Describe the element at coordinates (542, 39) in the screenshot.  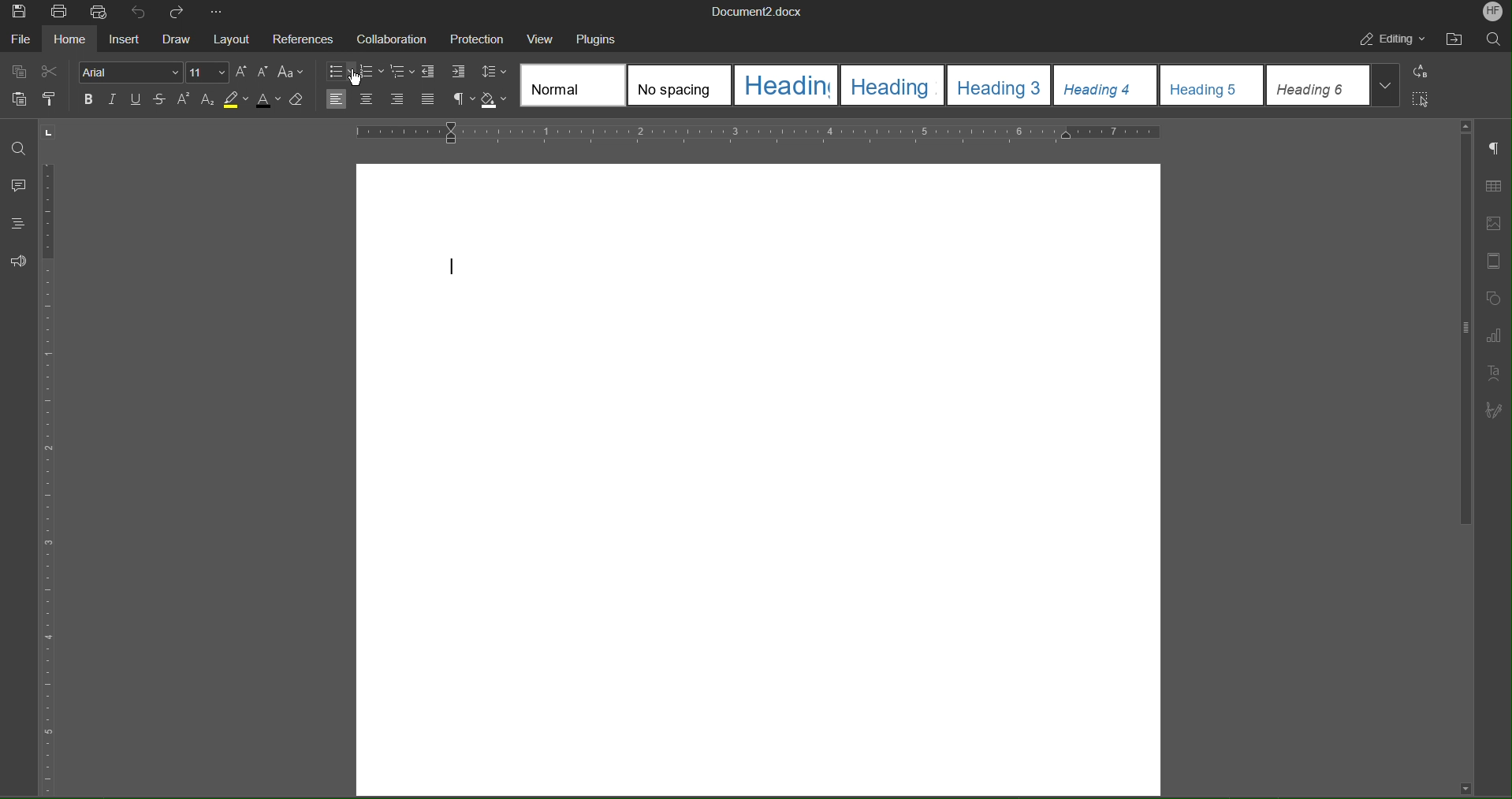
I see `View` at that location.